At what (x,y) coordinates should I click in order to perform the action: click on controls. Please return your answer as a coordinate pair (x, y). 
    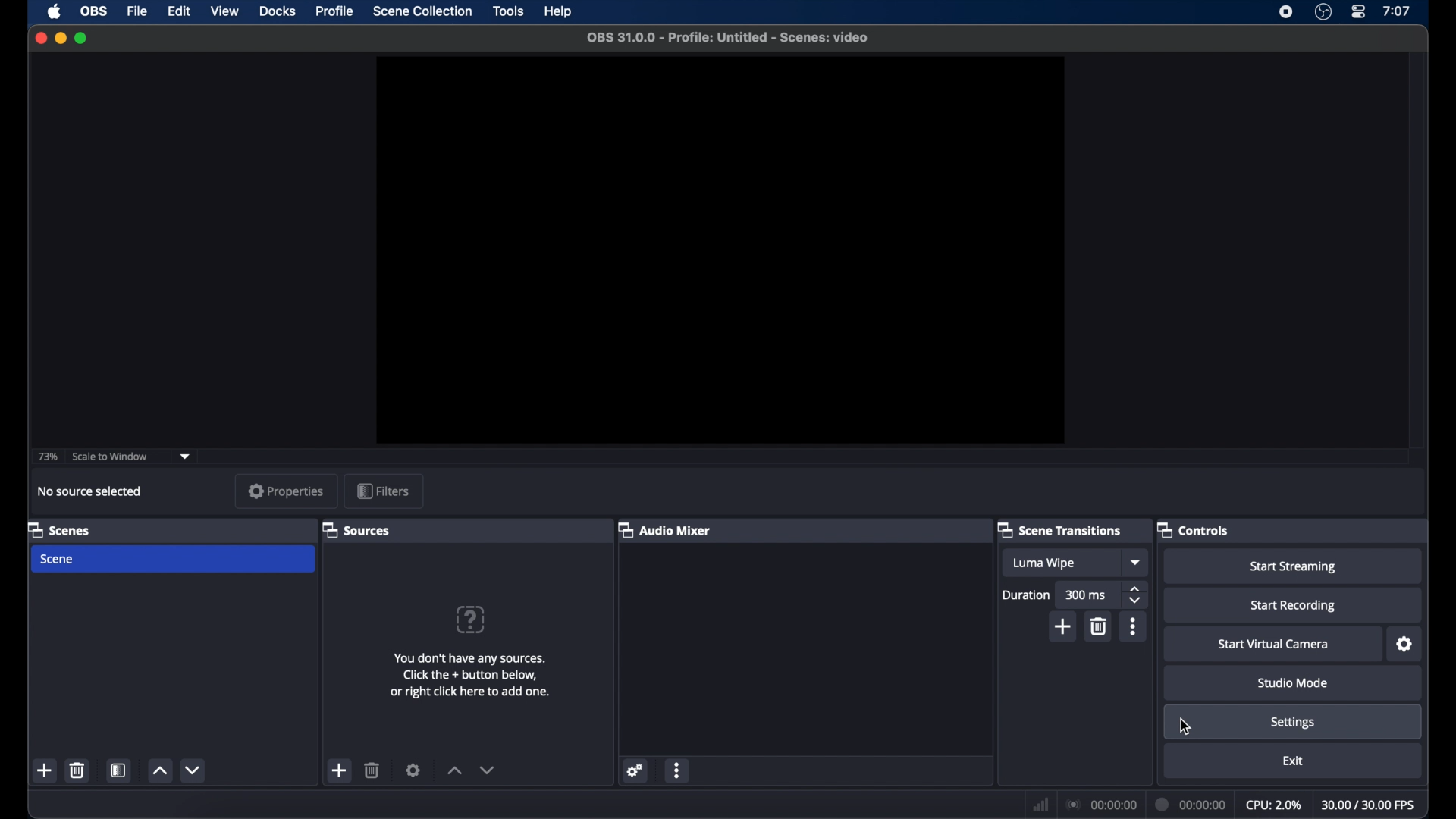
    Looking at the image, I should click on (1195, 531).